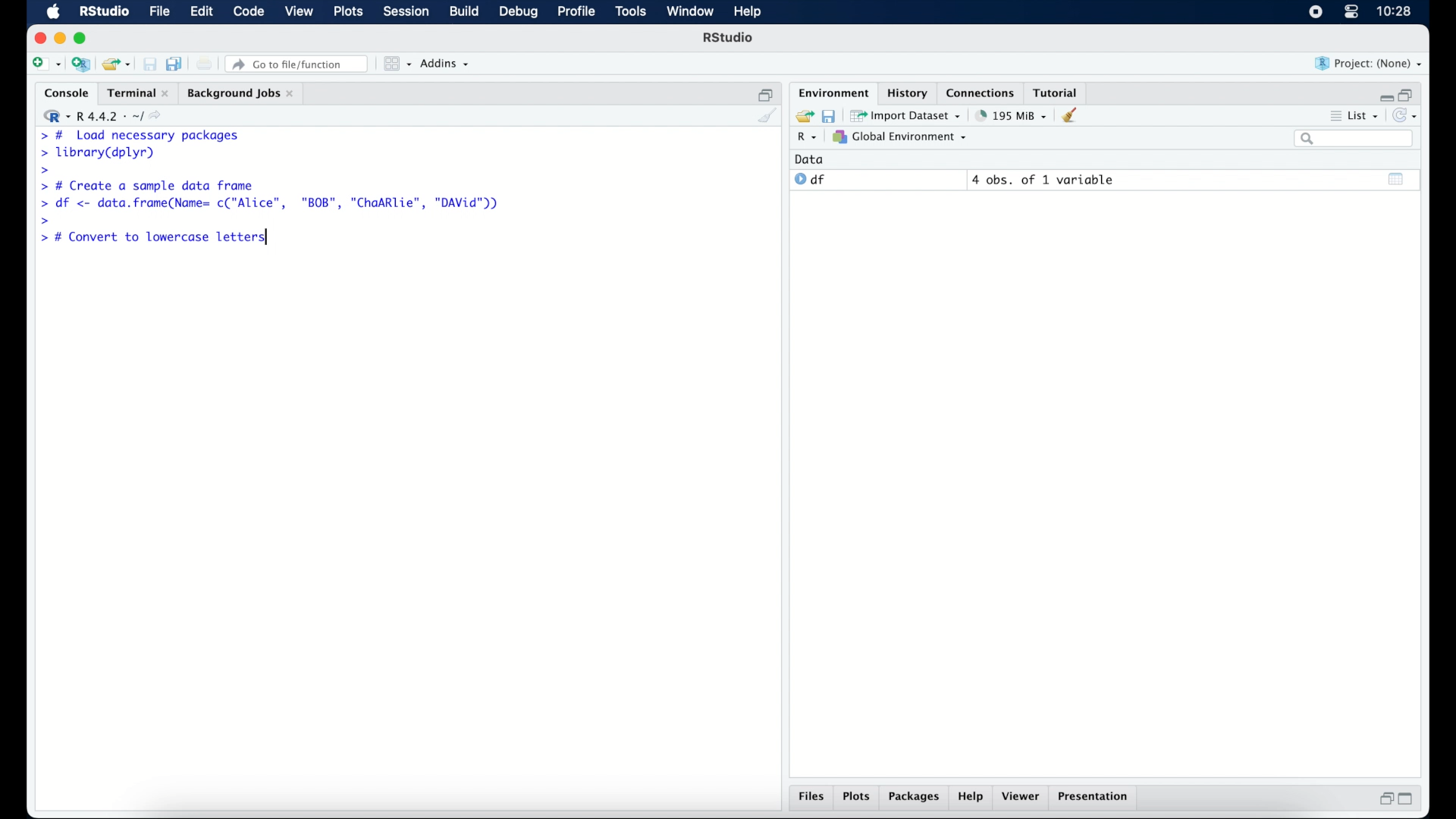 This screenshot has width=1456, height=819. What do you see at coordinates (149, 64) in the screenshot?
I see `save` at bounding box center [149, 64].